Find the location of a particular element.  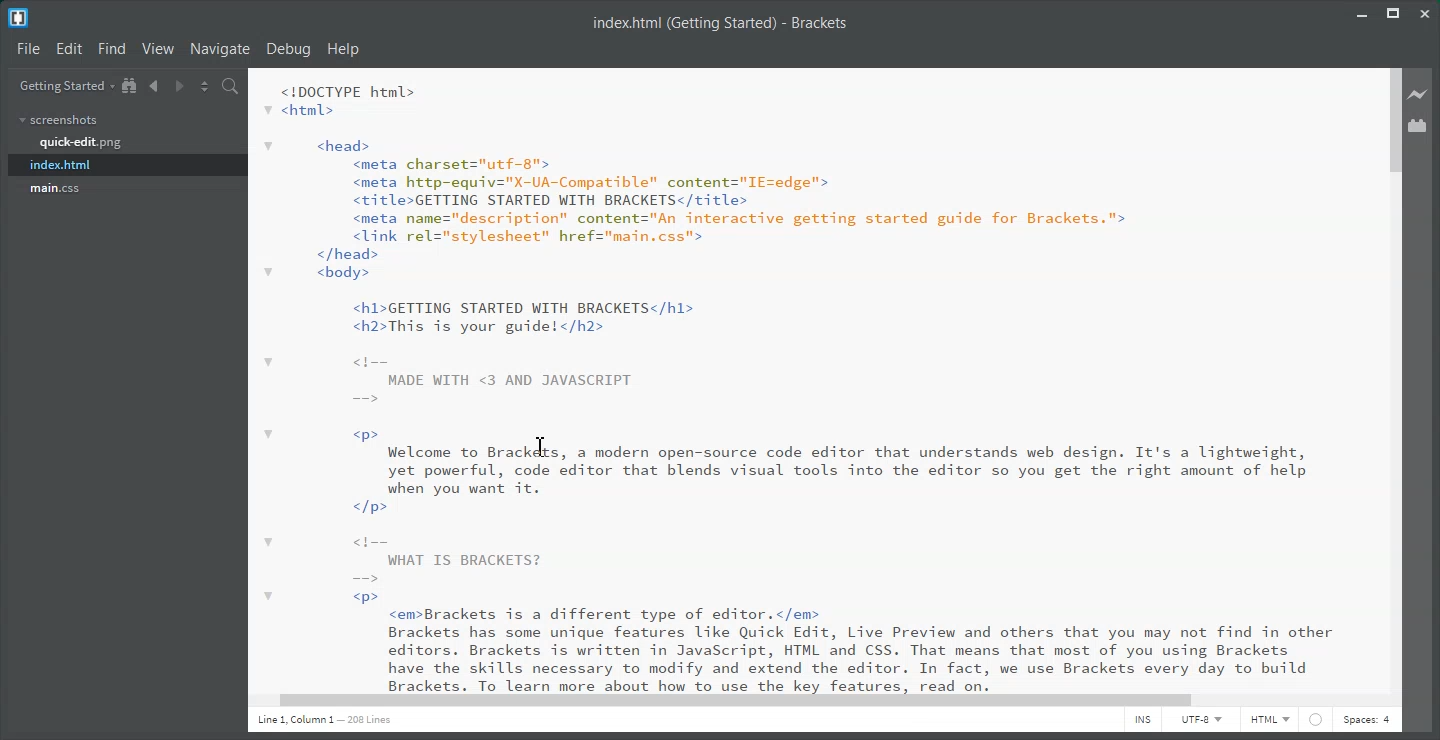

Text Cursor is located at coordinates (536, 448).